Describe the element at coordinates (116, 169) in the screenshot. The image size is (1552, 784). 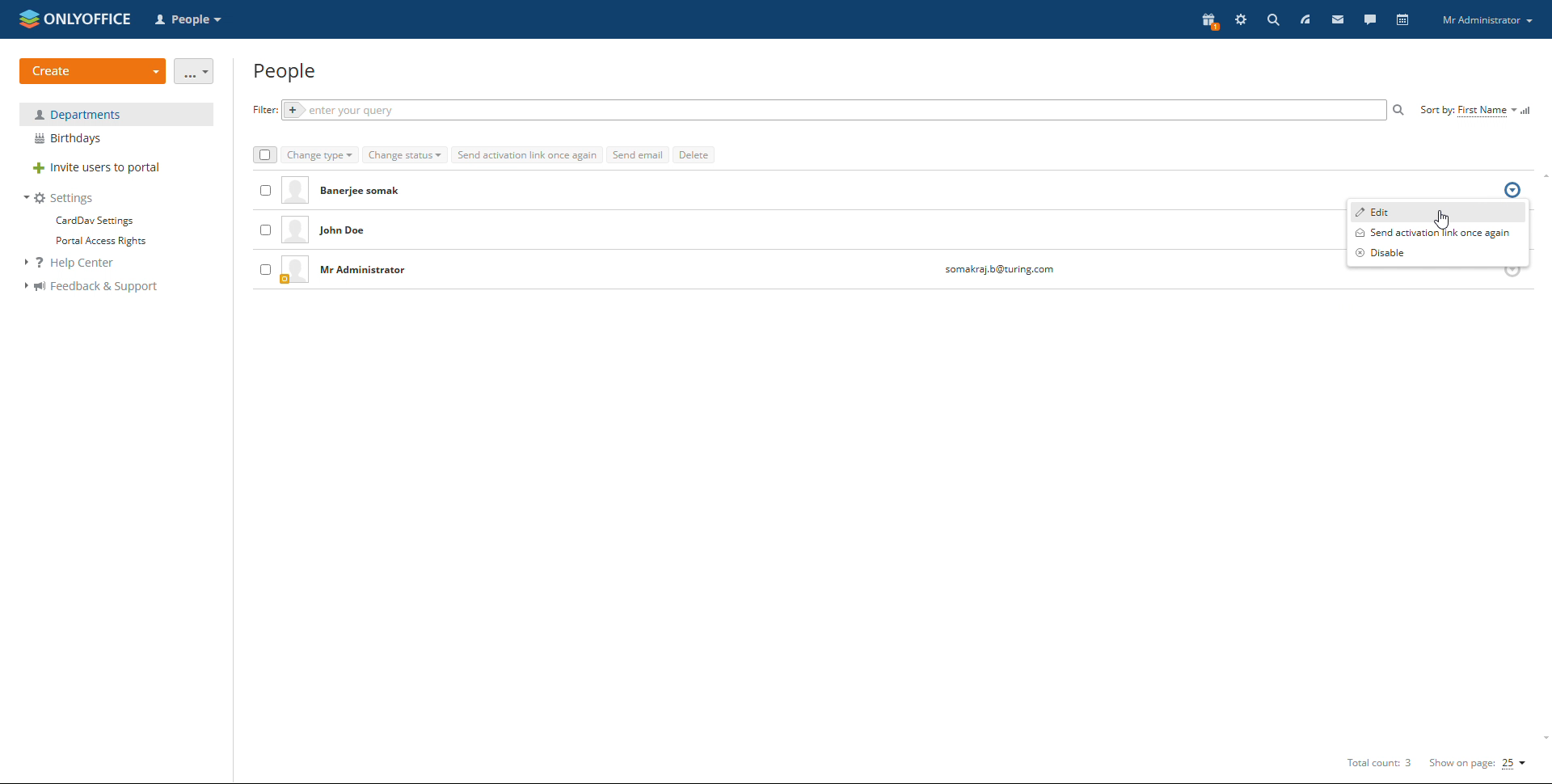
I see `invite users to portal` at that location.